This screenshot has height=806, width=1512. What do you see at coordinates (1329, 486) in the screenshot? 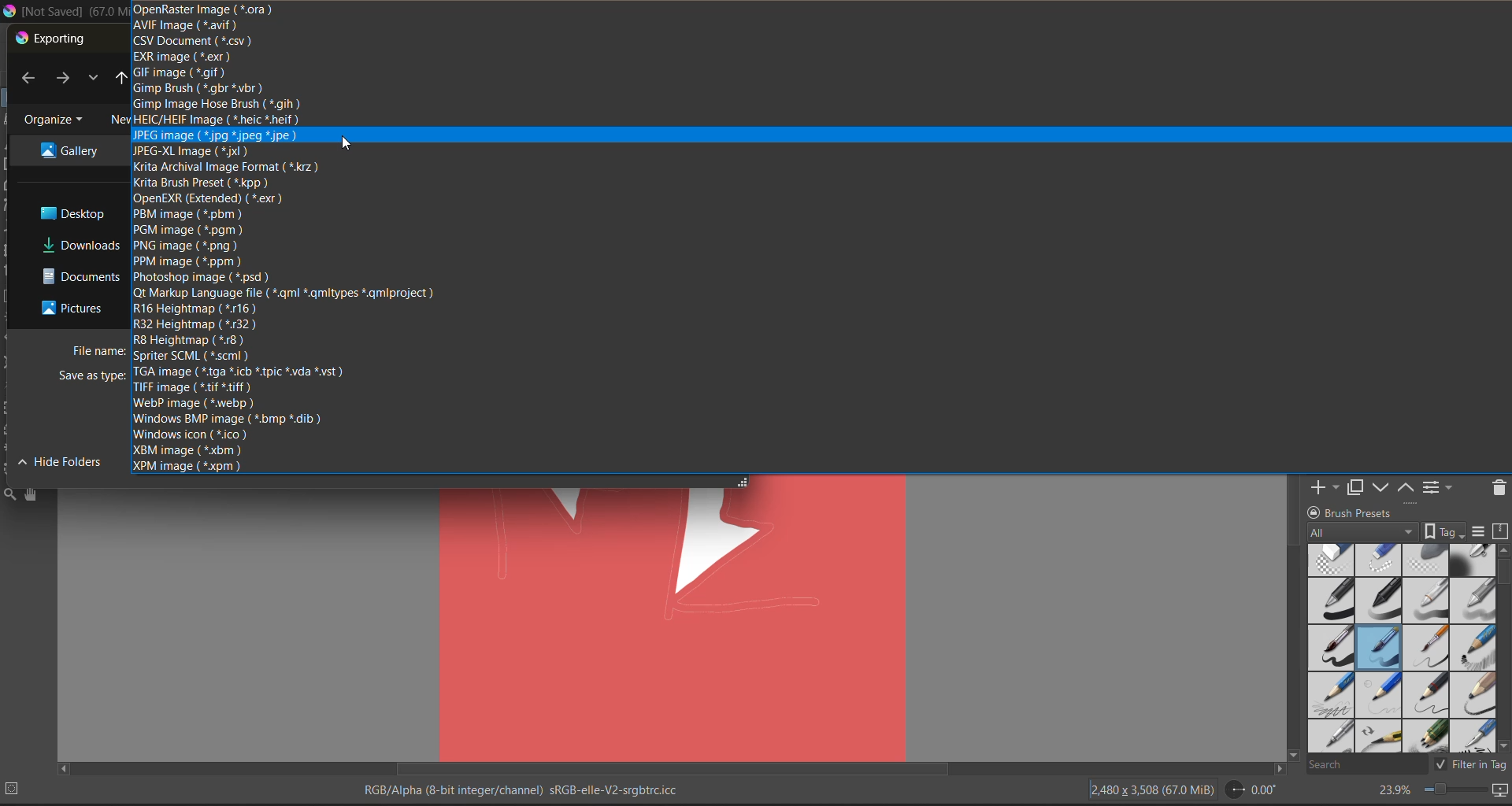
I see `add` at bounding box center [1329, 486].